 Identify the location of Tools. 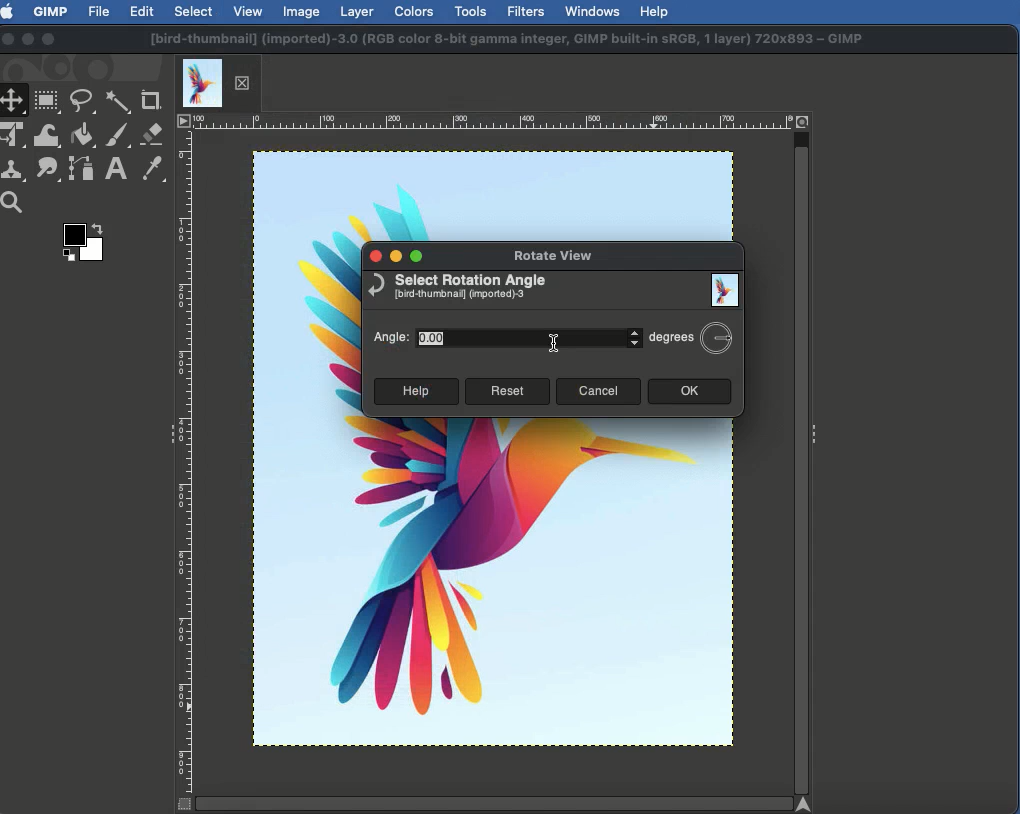
(470, 12).